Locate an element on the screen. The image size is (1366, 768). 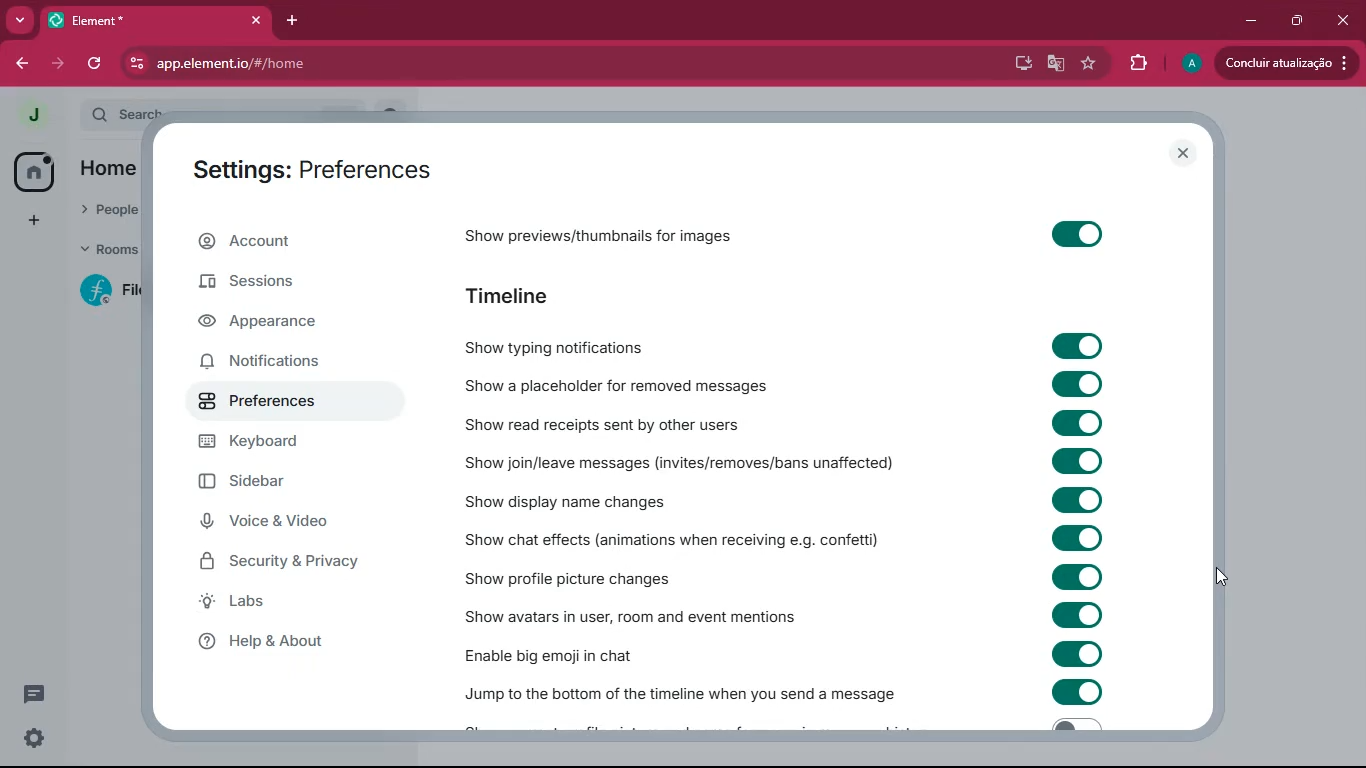
search is located at coordinates (125, 109).